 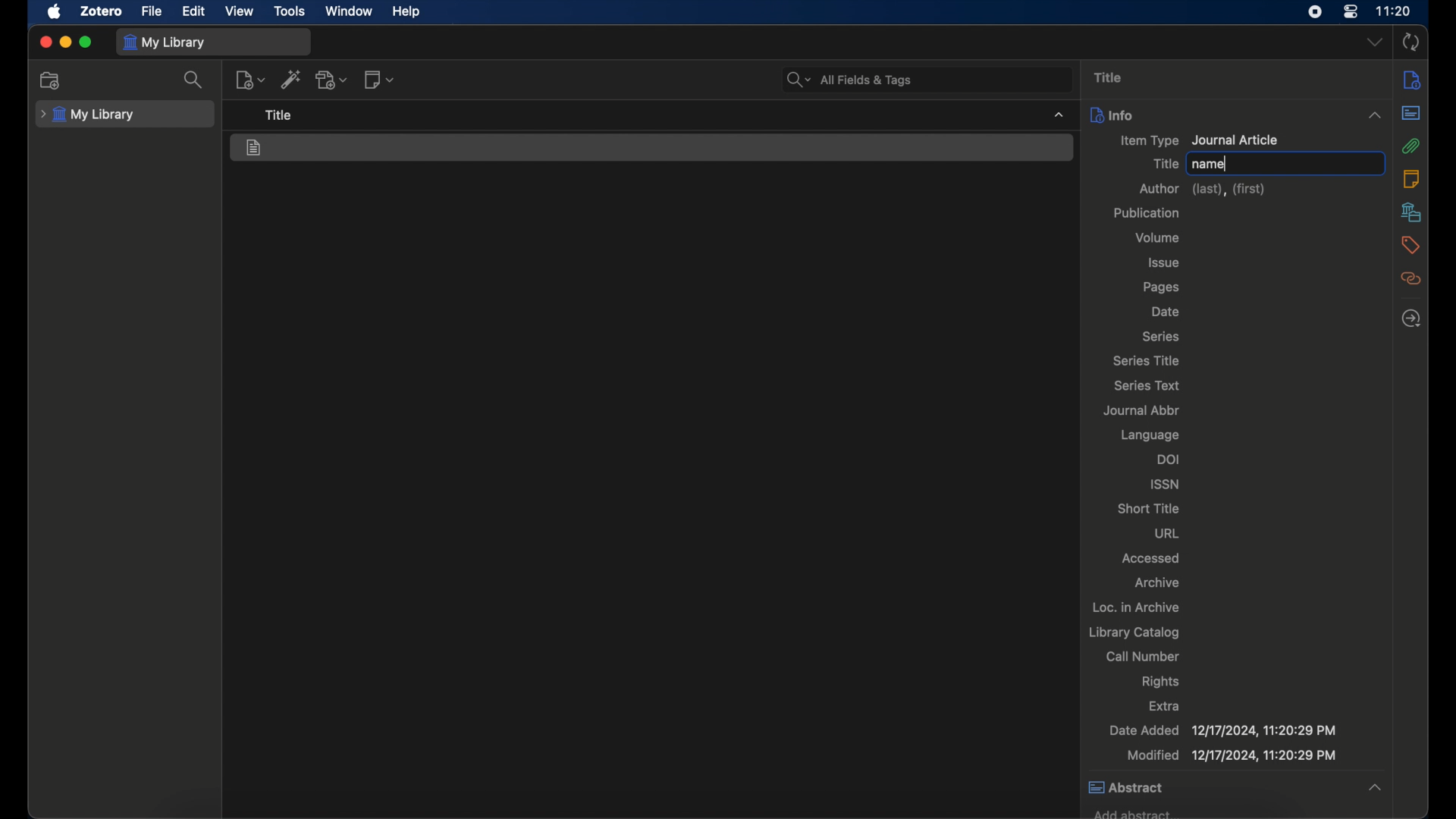 I want to click on dropdown, so click(x=1375, y=41).